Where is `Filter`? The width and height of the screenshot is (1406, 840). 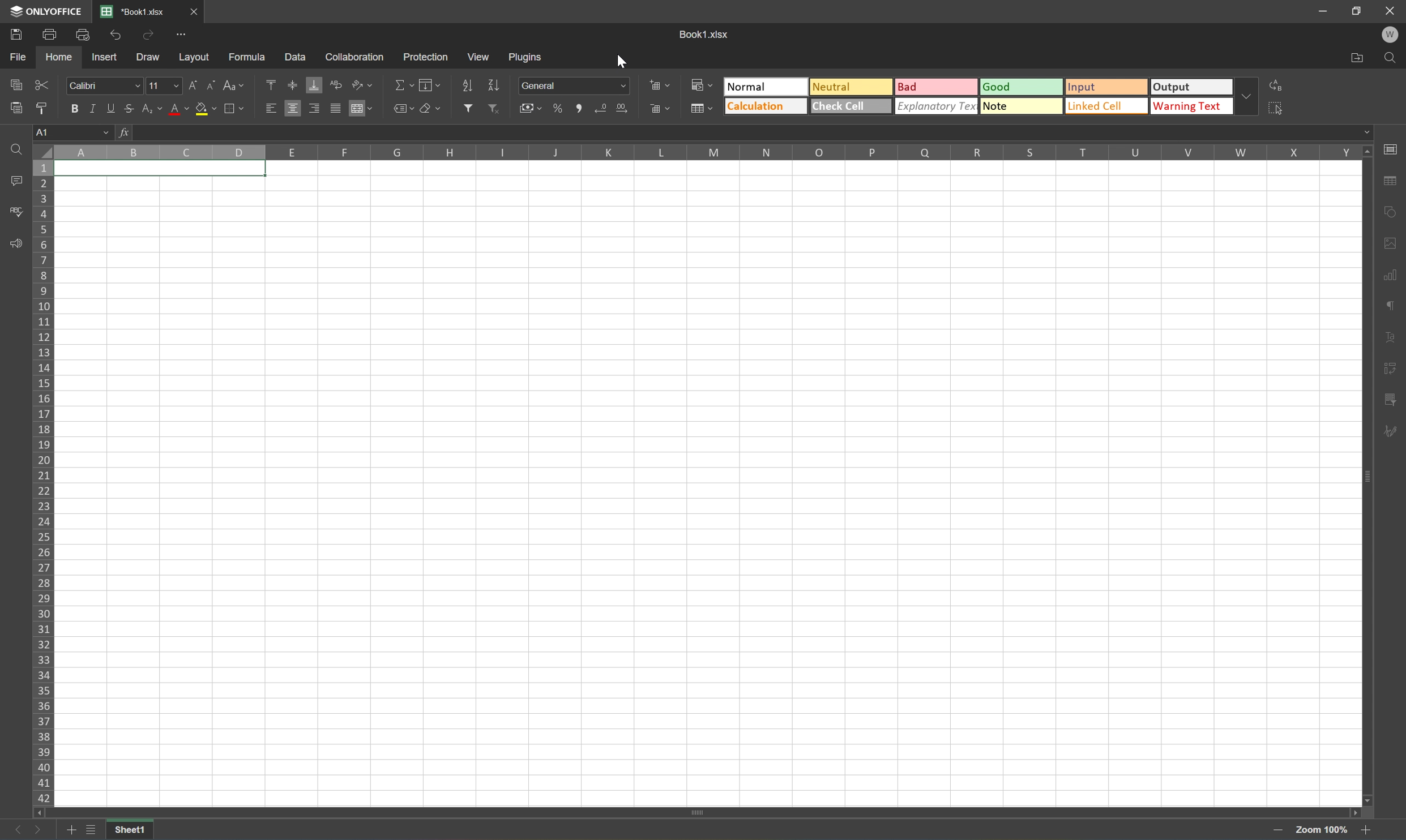
Filter is located at coordinates (467, 108).